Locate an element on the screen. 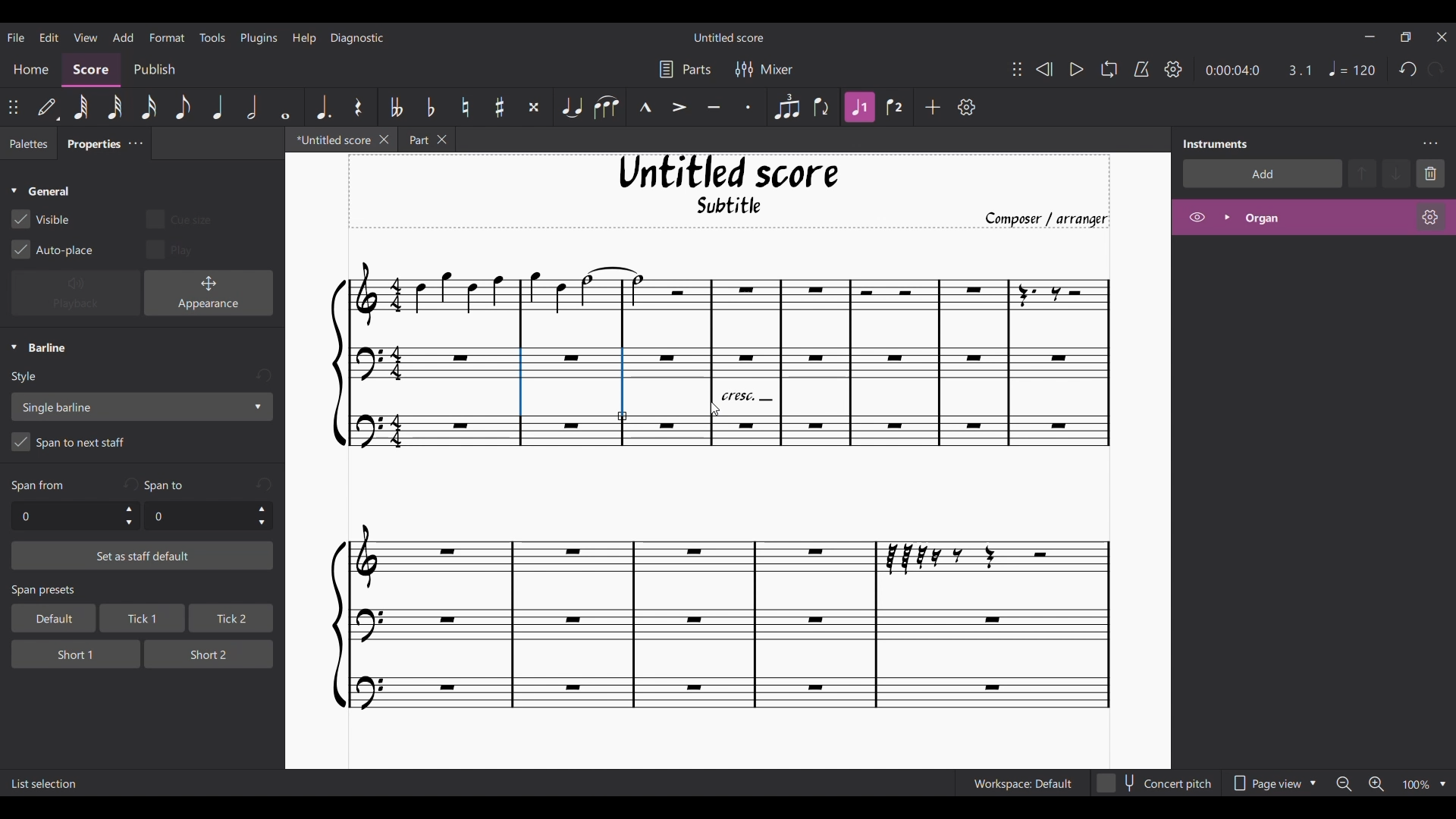 This screenshot has width=1456, height=819. Delete selection is located at coordinates (1431, 173).